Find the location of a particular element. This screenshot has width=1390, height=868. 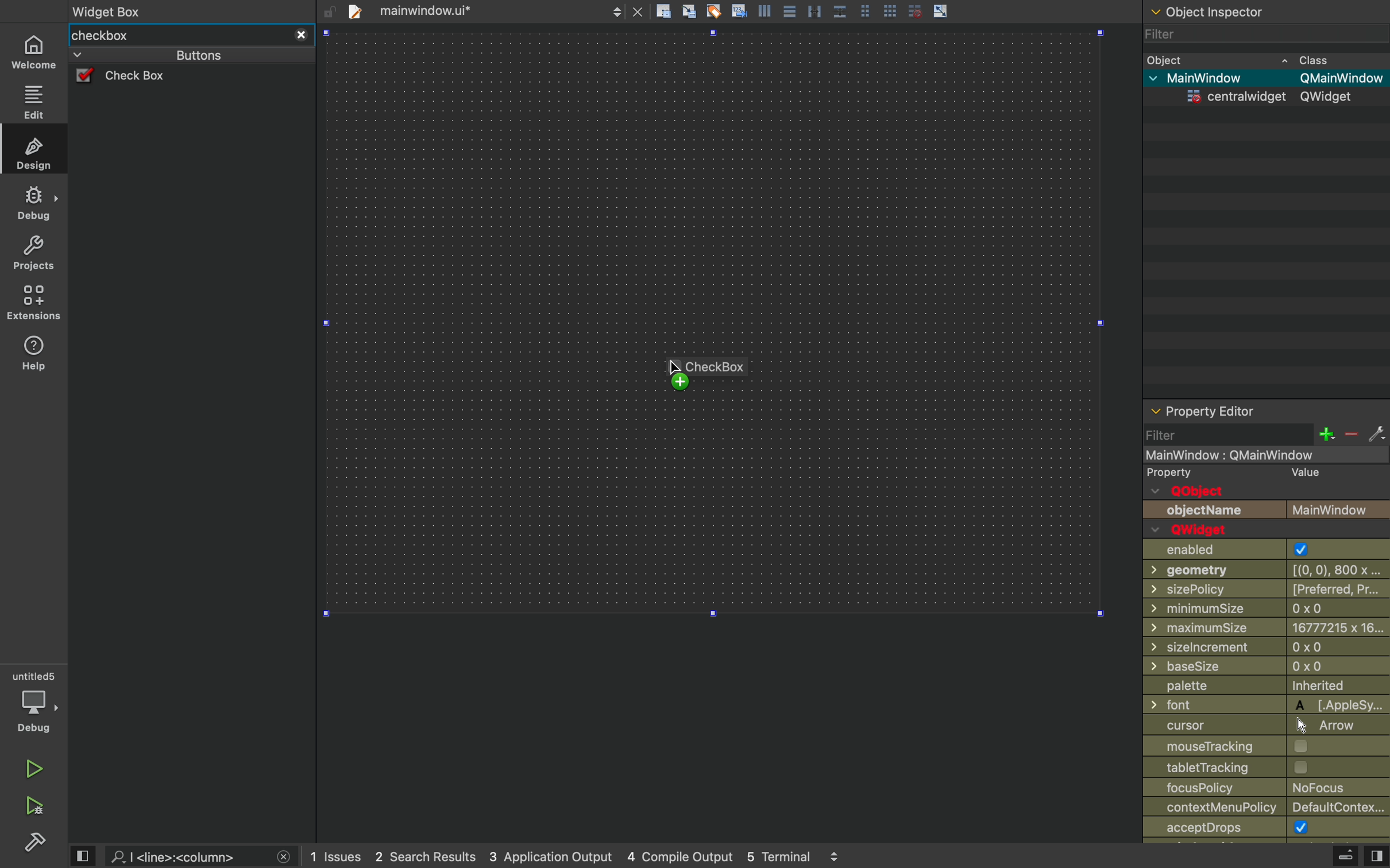

qwidget is located at coordinates (1198, 530).